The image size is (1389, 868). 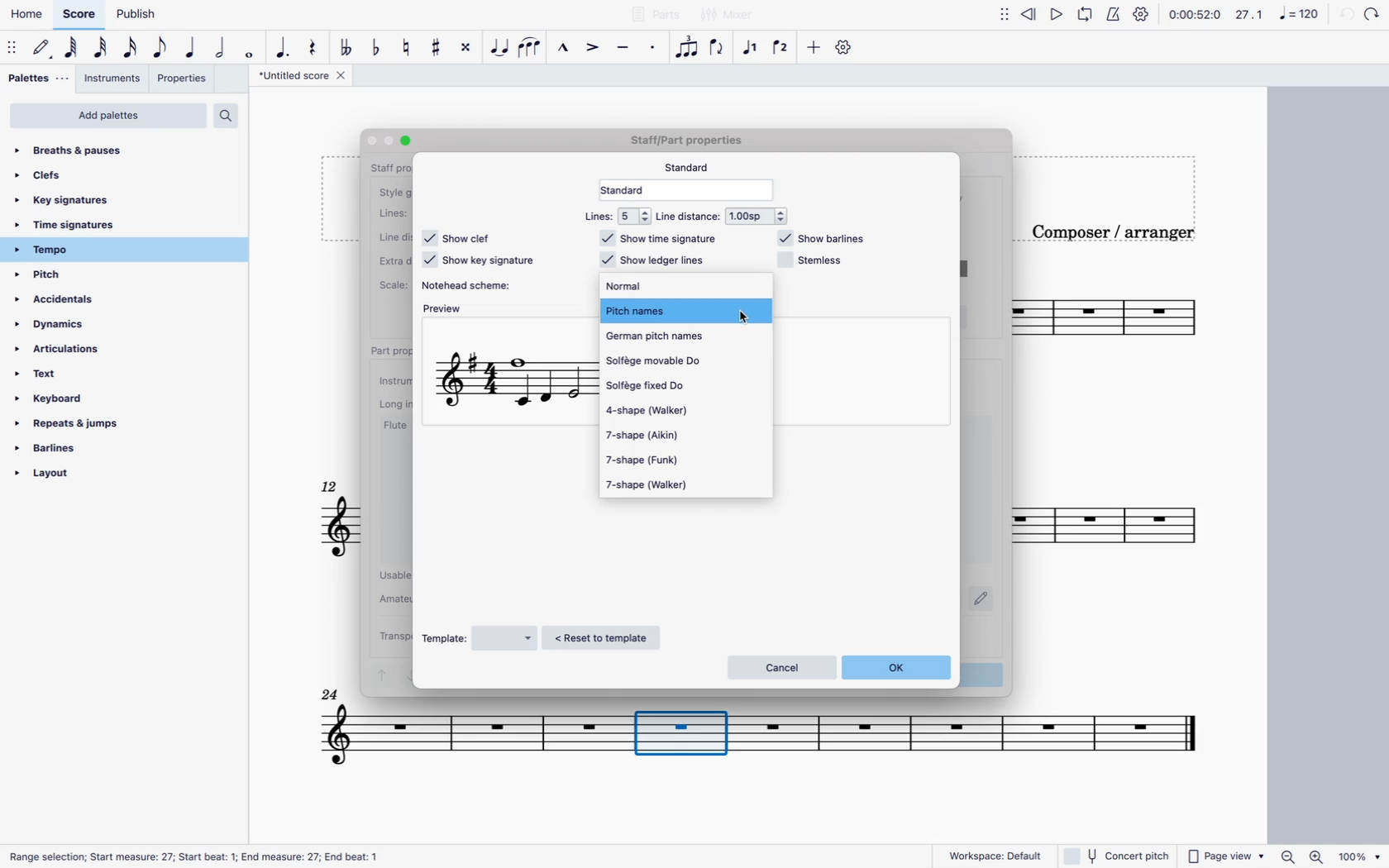 I want to click on instruments, so click(x=115, y=81).